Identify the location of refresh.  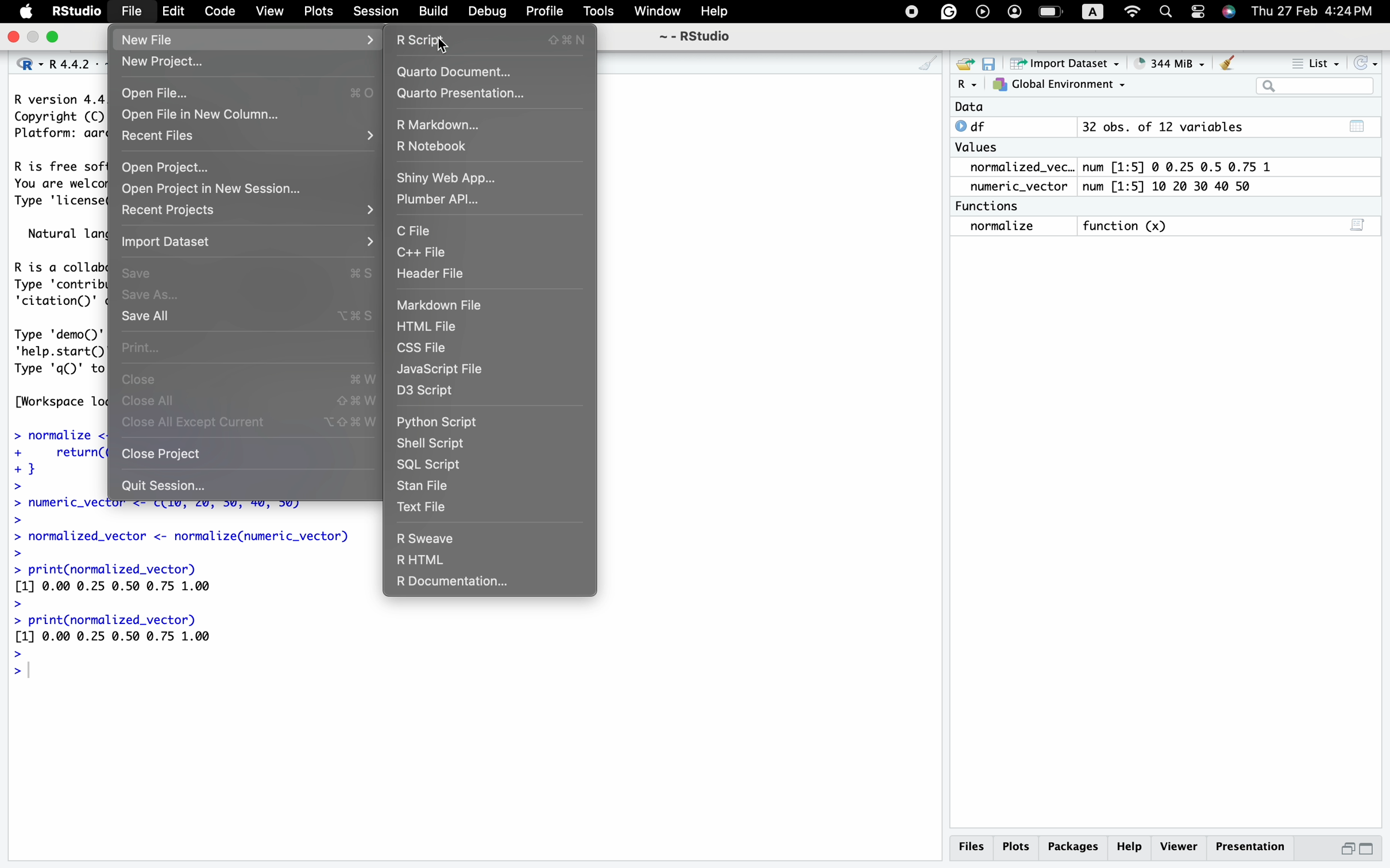
(1362, 63).